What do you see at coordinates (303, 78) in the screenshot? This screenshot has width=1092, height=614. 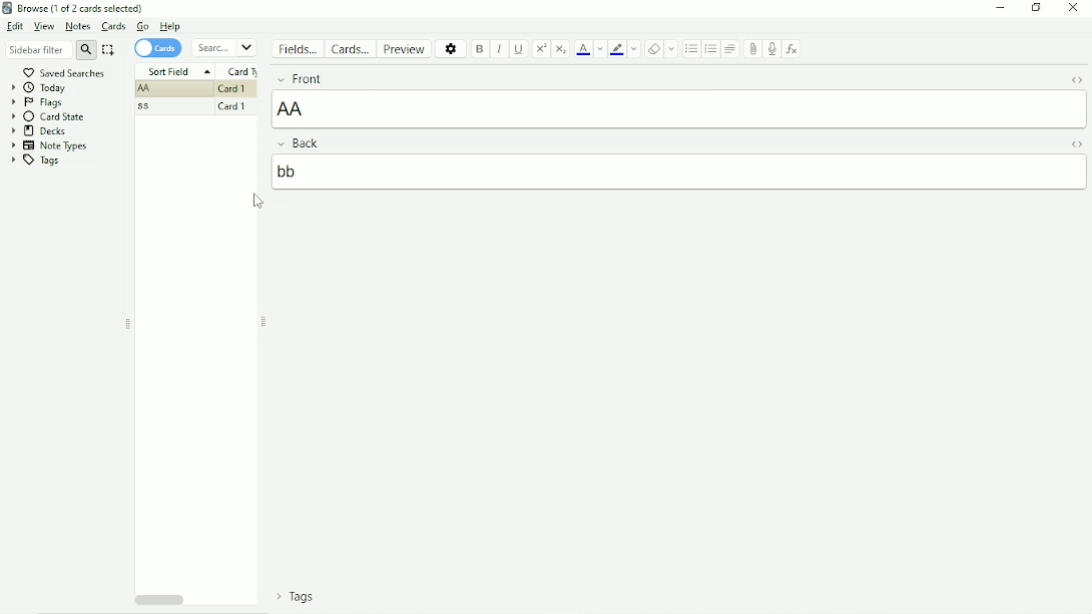 I see `Front` at bounding box center [303, 78].